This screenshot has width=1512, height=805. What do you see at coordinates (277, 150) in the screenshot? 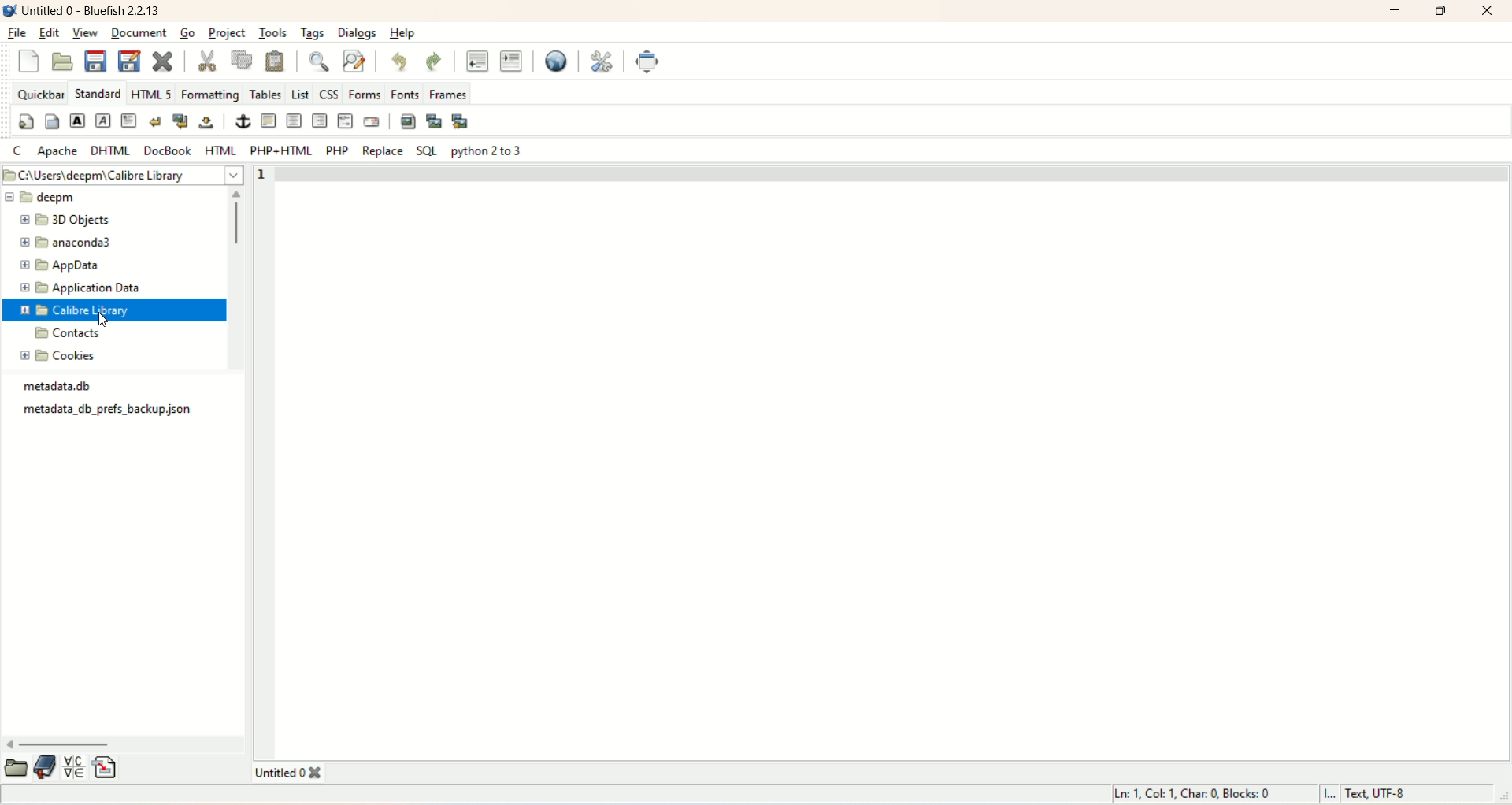
I see `PHP+HTML` at bounding box center [277, 150].